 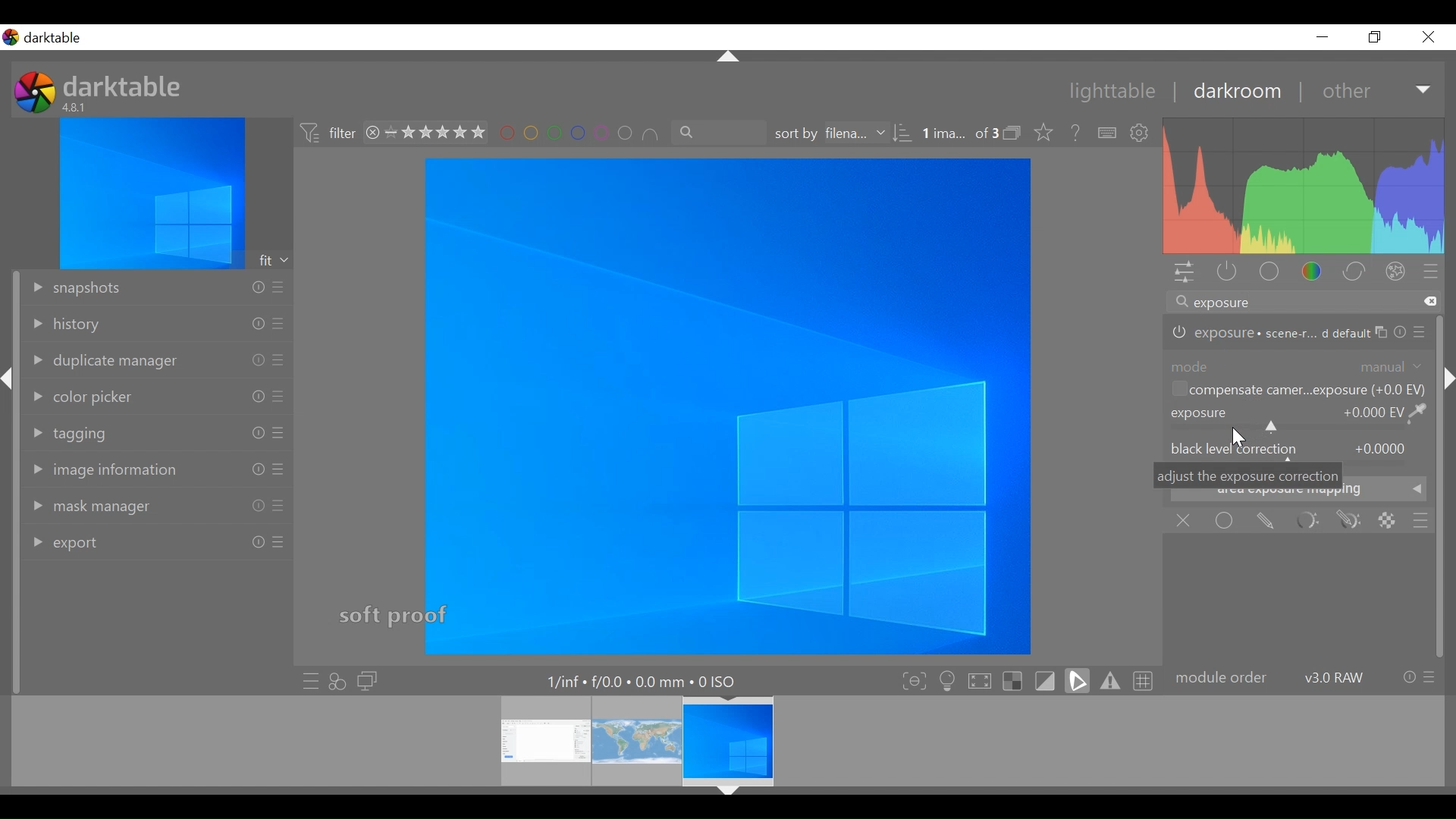 What do you see at coordinates (1045, 679) in the screenshot?
I see `toggle softproofing` at bounding box center [1045, 679].